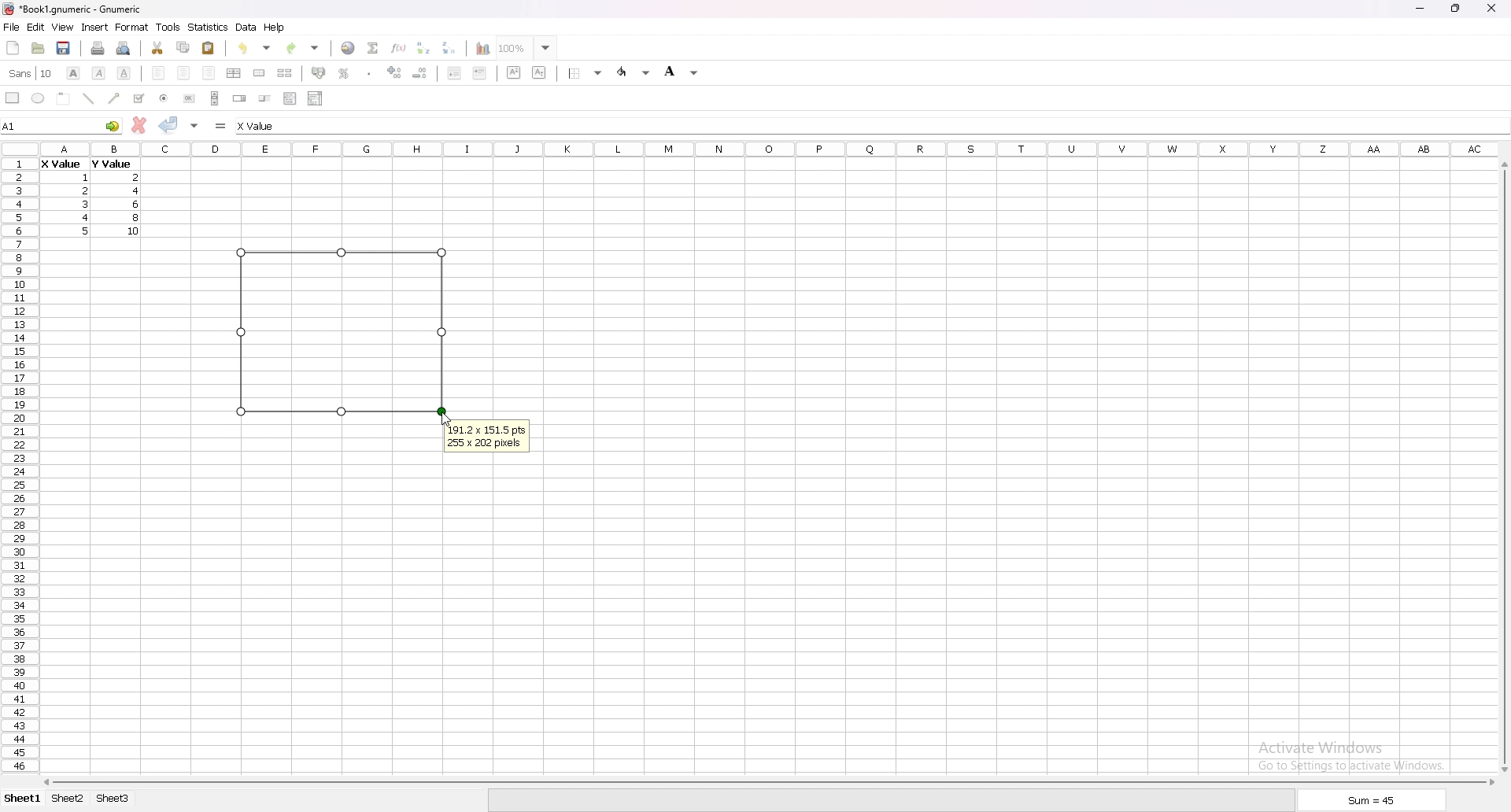 This screenshot has height=812, width=1511. What do you see at coordinates (184, 72) in the screenshot?
I see `centre` at bounding box center [184, 72].